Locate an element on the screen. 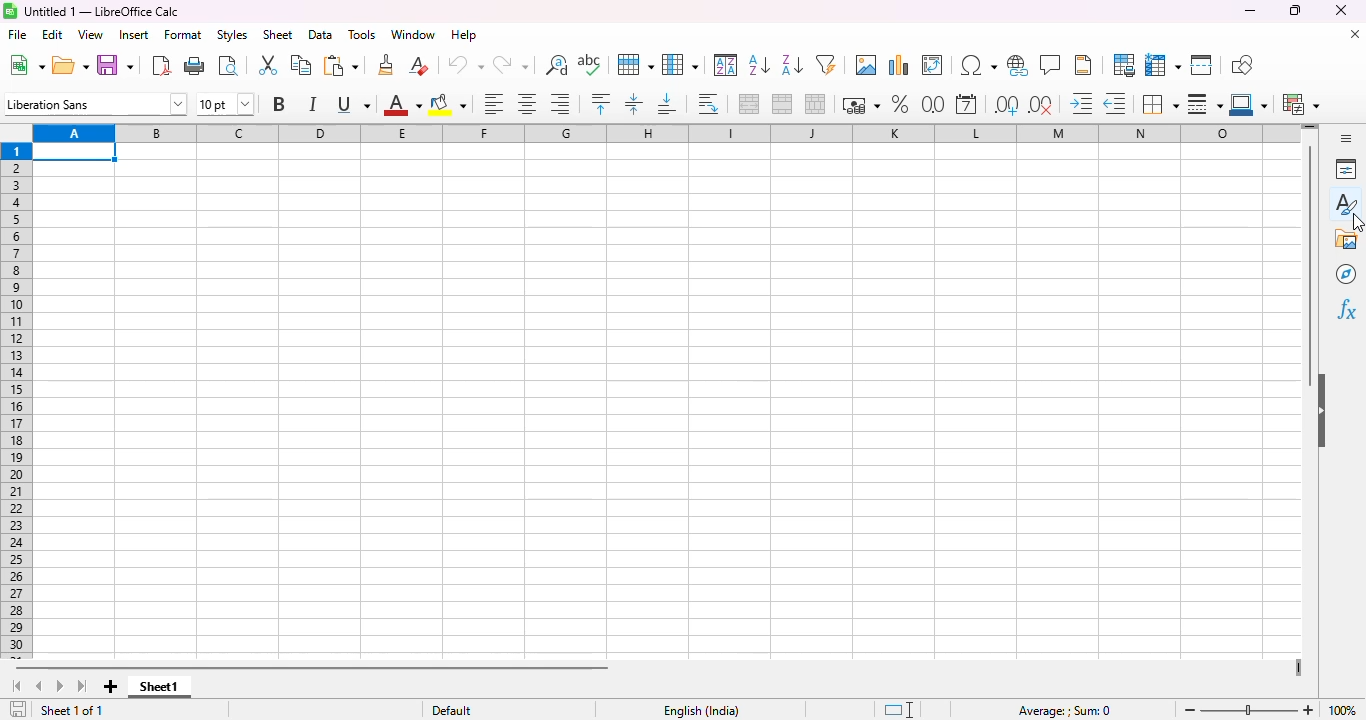  view is located at coordinates (90, 35).